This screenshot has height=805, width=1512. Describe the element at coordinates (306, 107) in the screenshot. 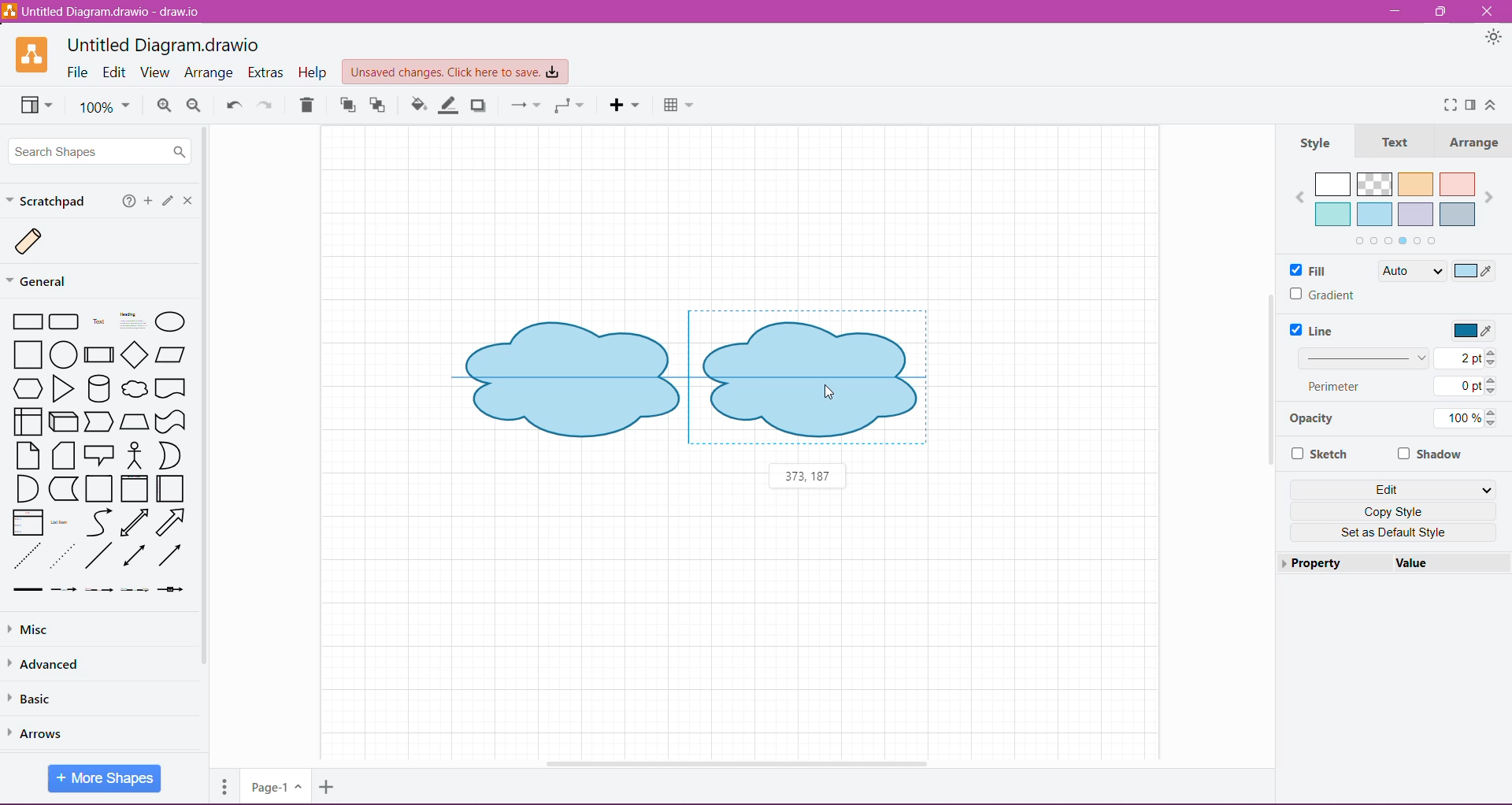

I see `Trash` at that location.